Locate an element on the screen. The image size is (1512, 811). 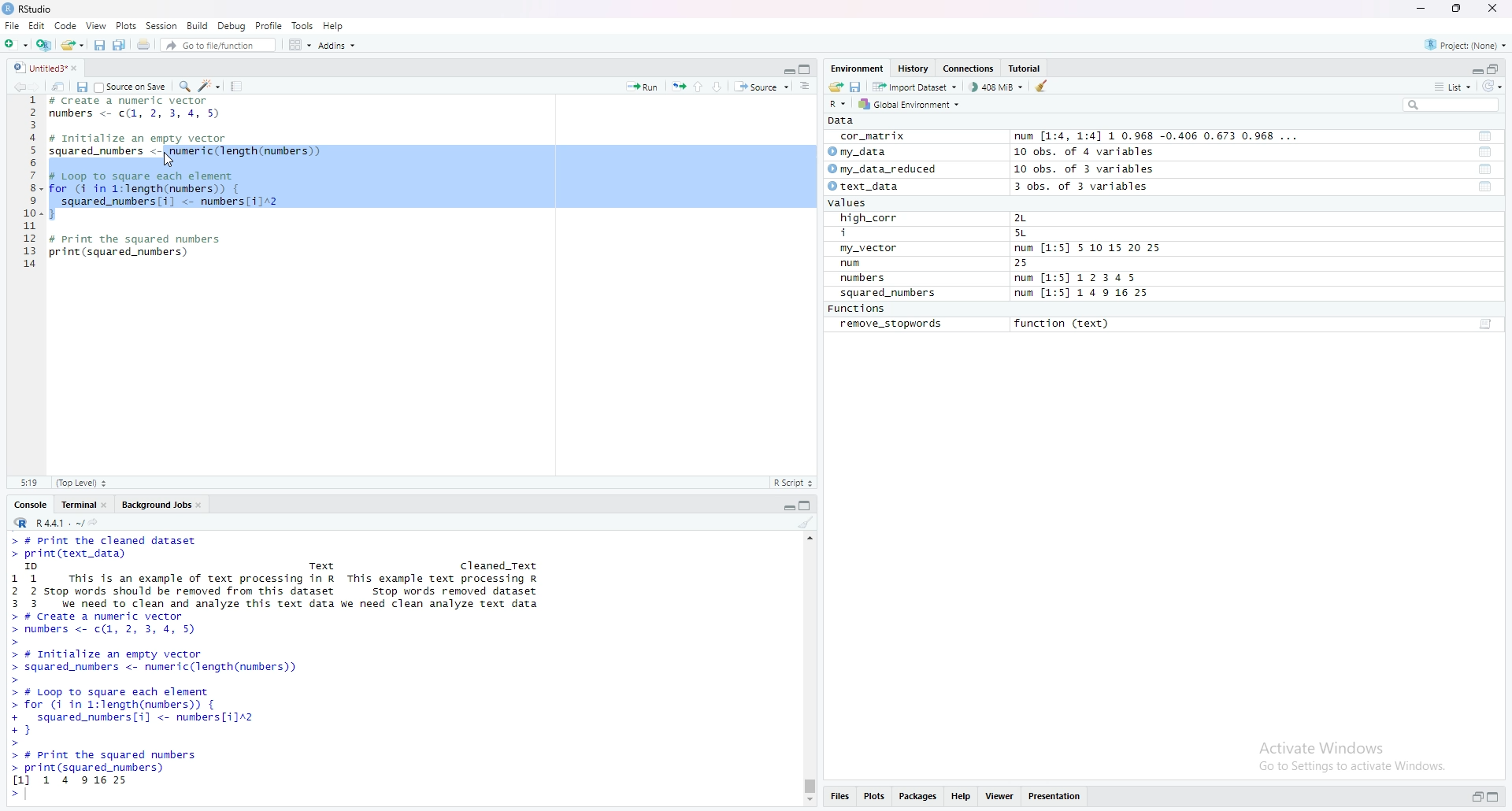
408 MiB is located at coordinates (995, 87).